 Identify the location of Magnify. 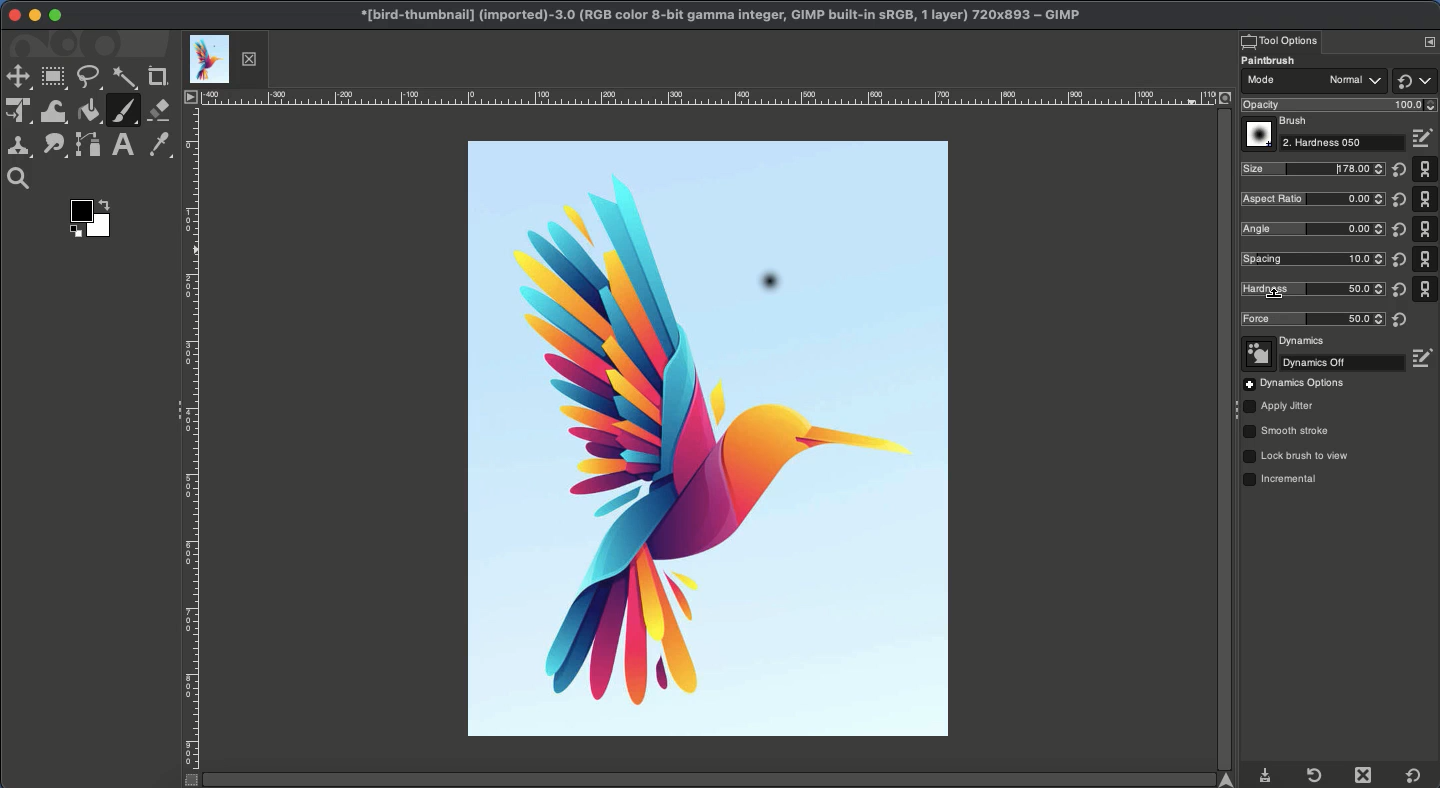
(23, 179).